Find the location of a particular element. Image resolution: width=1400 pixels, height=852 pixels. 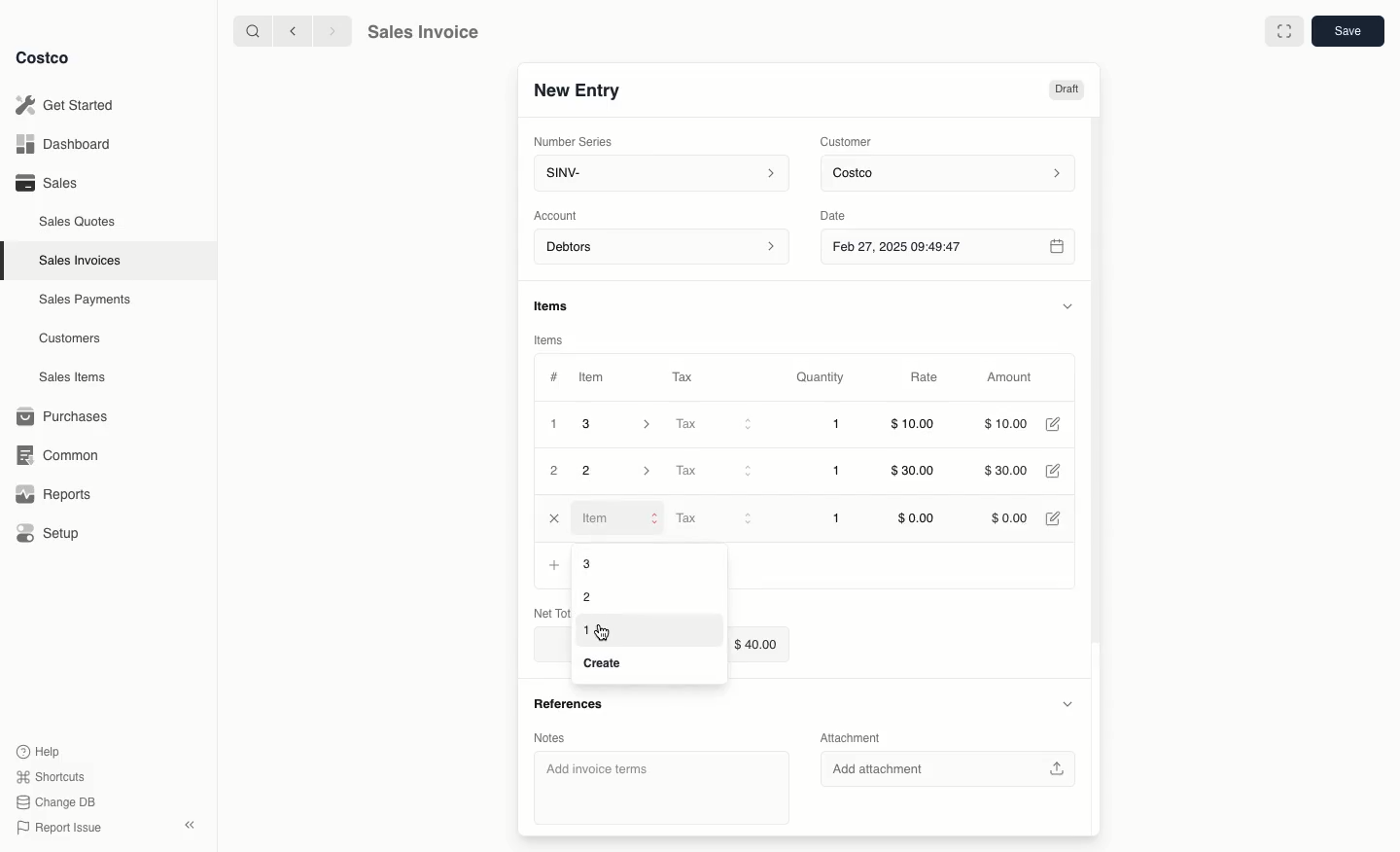

Draft is located at coordinates (1067, 90).